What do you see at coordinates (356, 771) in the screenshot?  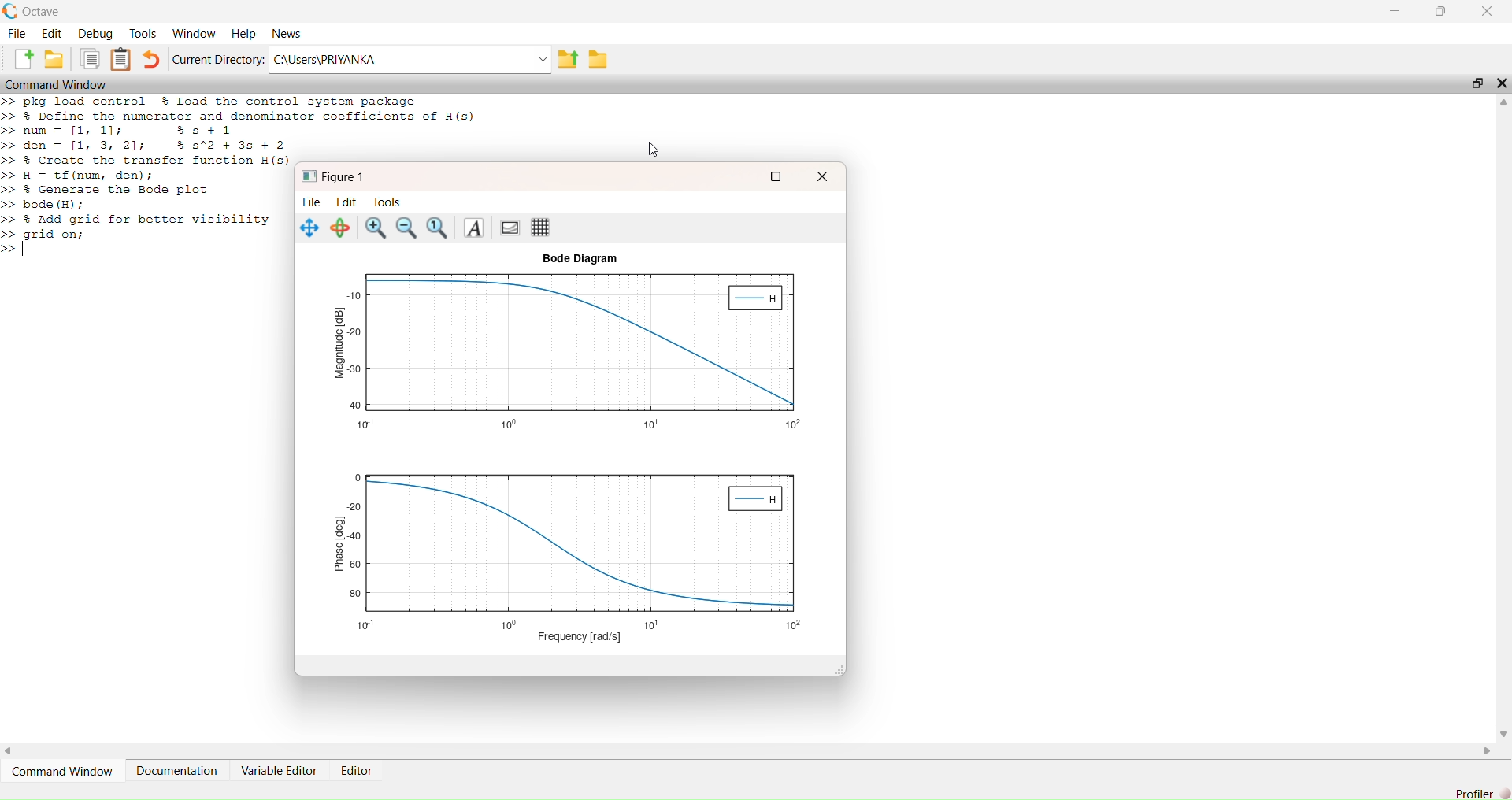 I see `Editor` at bounding box center [356, 771].